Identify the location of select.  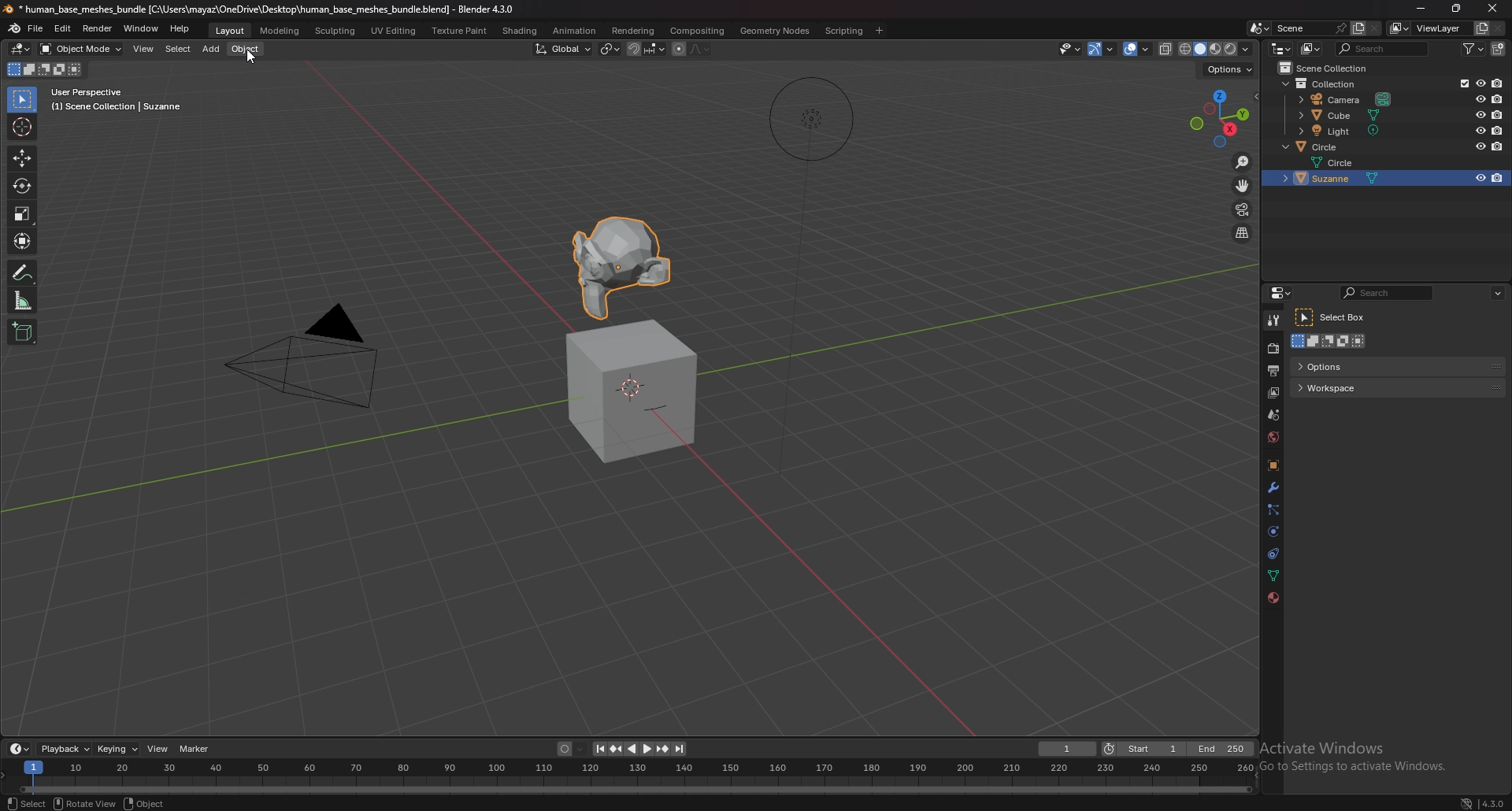
(23, 802).